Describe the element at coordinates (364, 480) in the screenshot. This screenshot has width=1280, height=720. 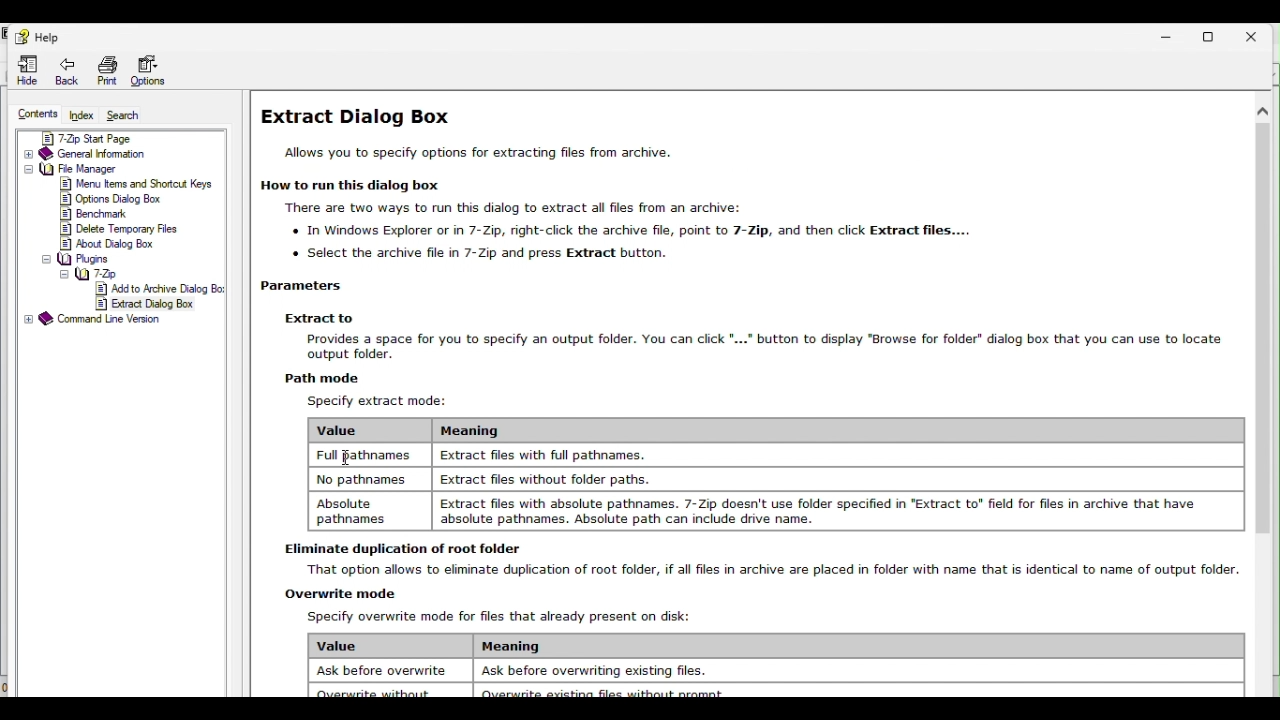
I see `no pathnames` at that location.